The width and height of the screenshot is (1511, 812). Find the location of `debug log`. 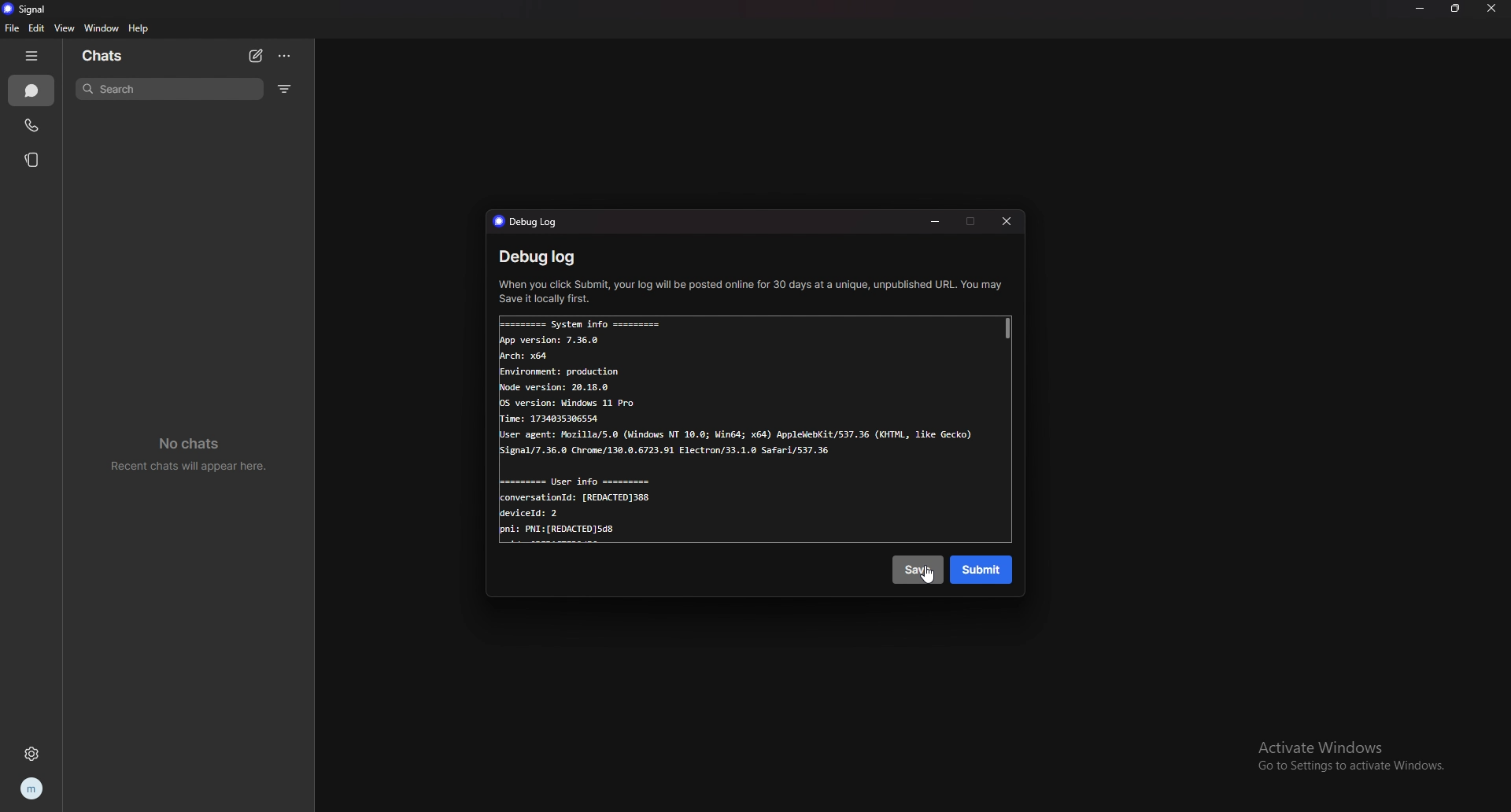

debug log is located at coordinates (540, 257).